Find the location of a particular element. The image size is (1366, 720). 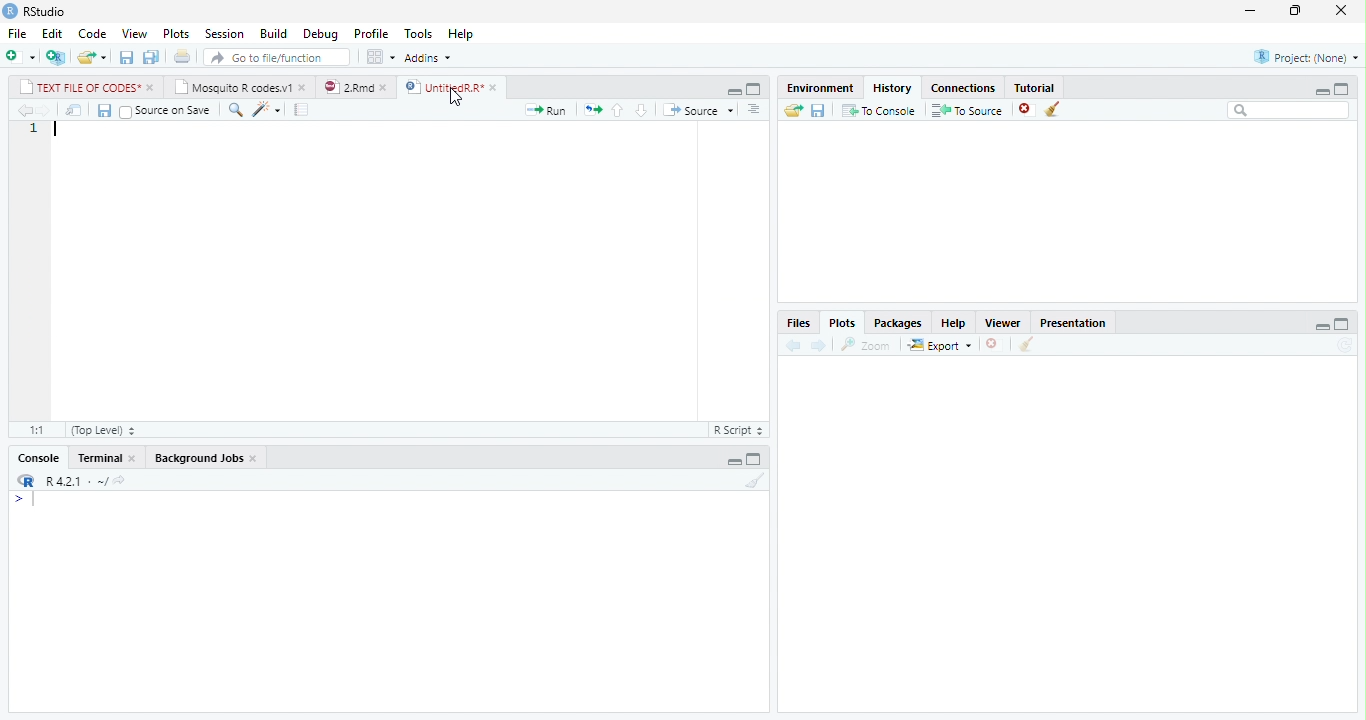

Top Level is located at coordinates (103, 430).